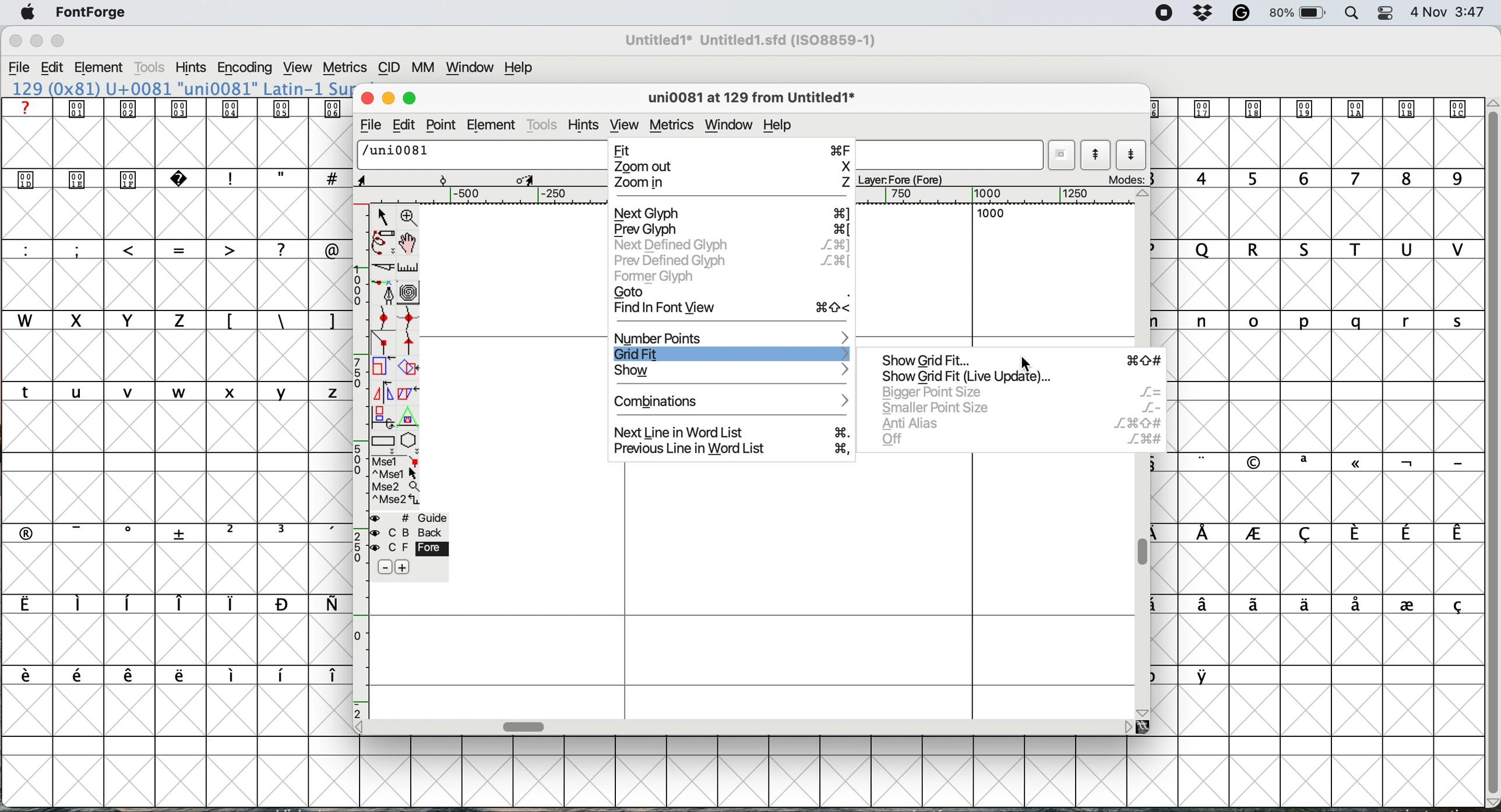  What do you see at coordinates (409, 391) in the screenshot?
I see `skew the selection` at bounding box center [409, 391].